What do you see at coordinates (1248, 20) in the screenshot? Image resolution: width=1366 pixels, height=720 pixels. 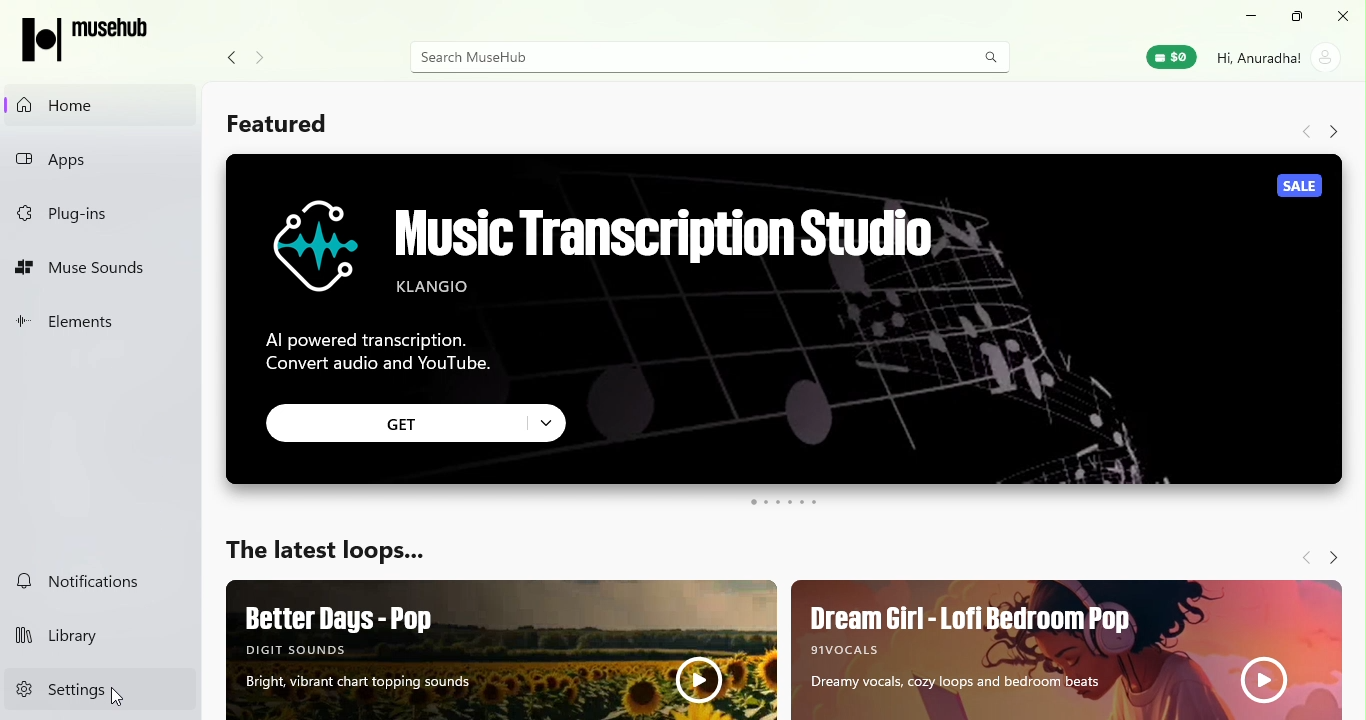 I see `Minimize` at bounding box center [1248, 20].